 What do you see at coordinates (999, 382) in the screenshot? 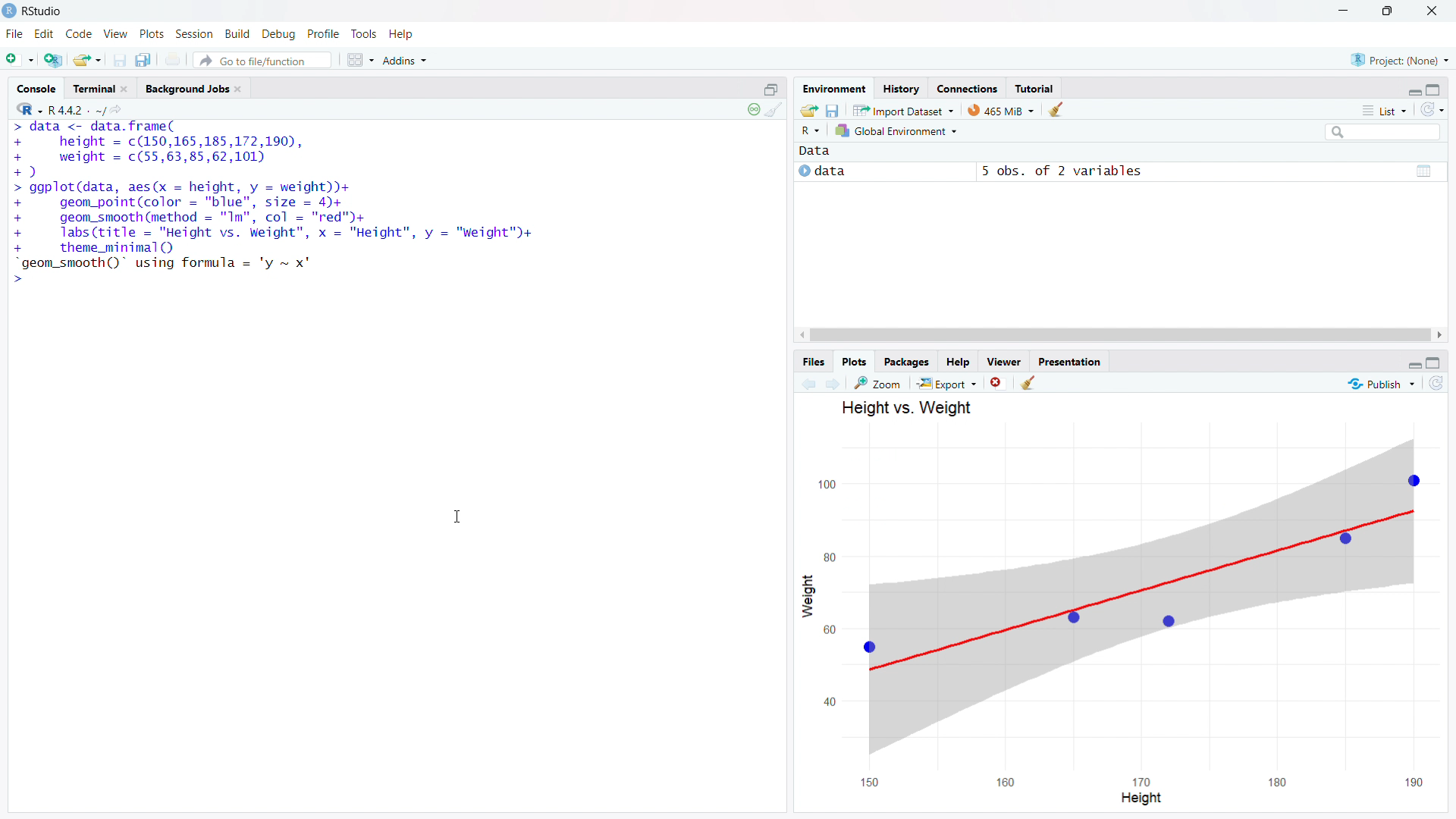
I see `remove current plot` at bounding box center [999, 382].